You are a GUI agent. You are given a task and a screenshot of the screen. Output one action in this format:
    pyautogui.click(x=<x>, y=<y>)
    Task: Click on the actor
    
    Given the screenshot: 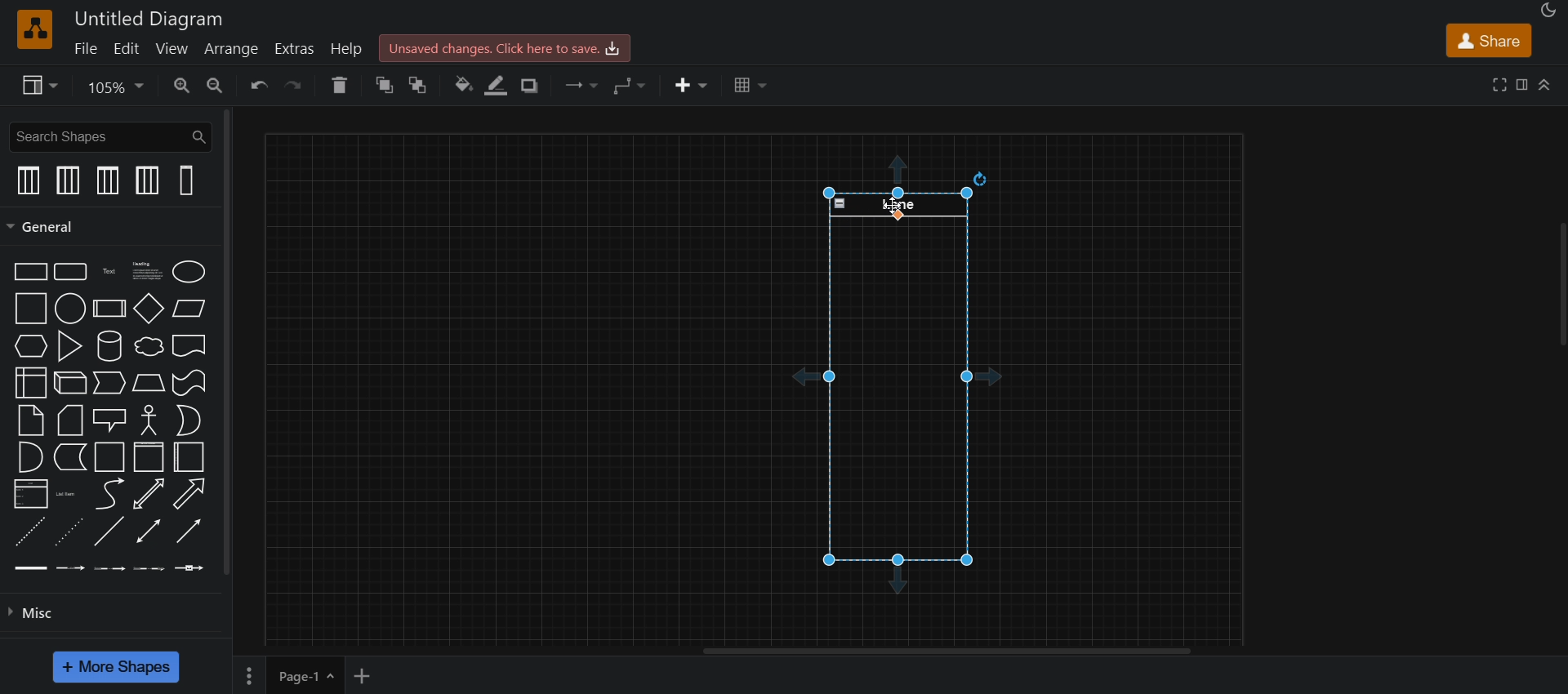 What is the action you would take?
    pyautogui.click(x=150, y=421)
    